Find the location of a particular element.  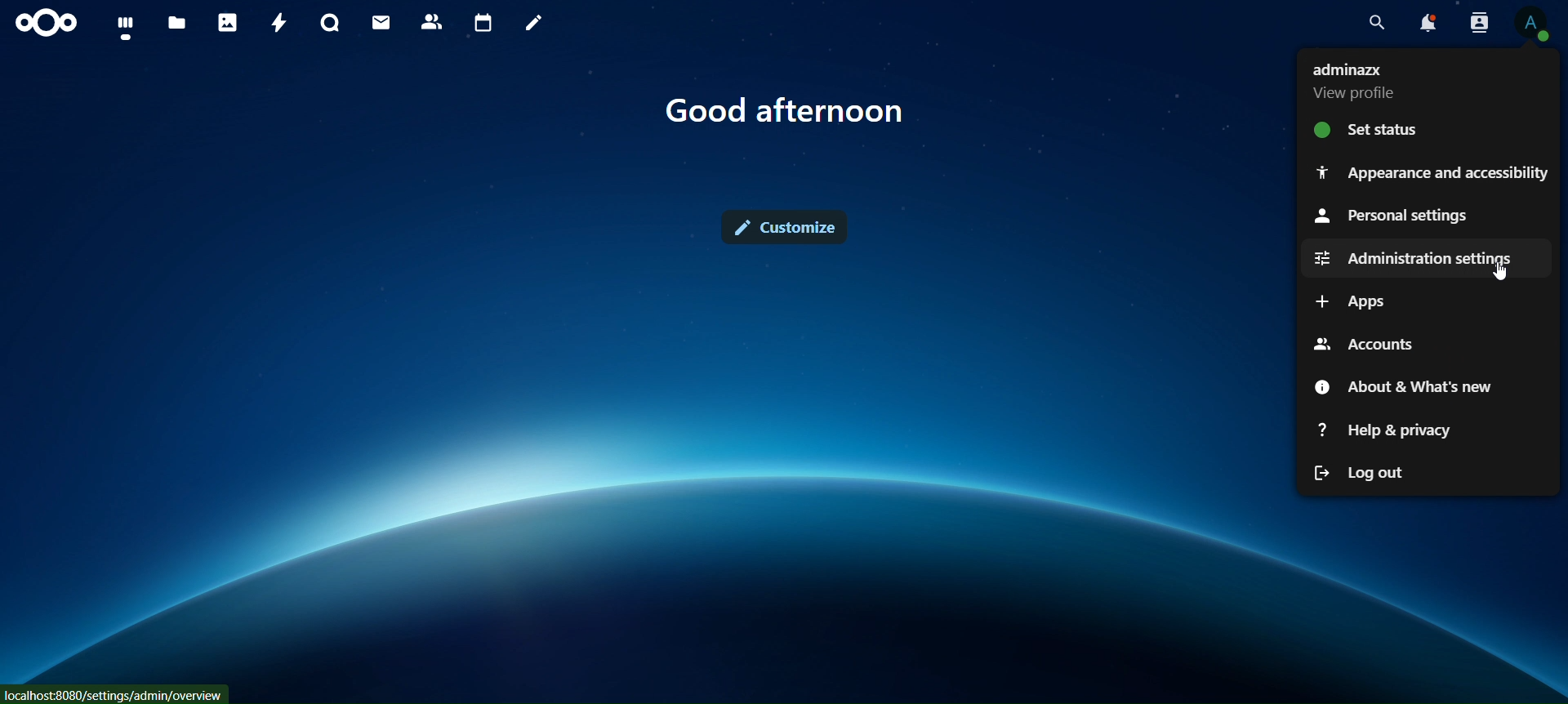

mail is located at coordinates (381, 22).